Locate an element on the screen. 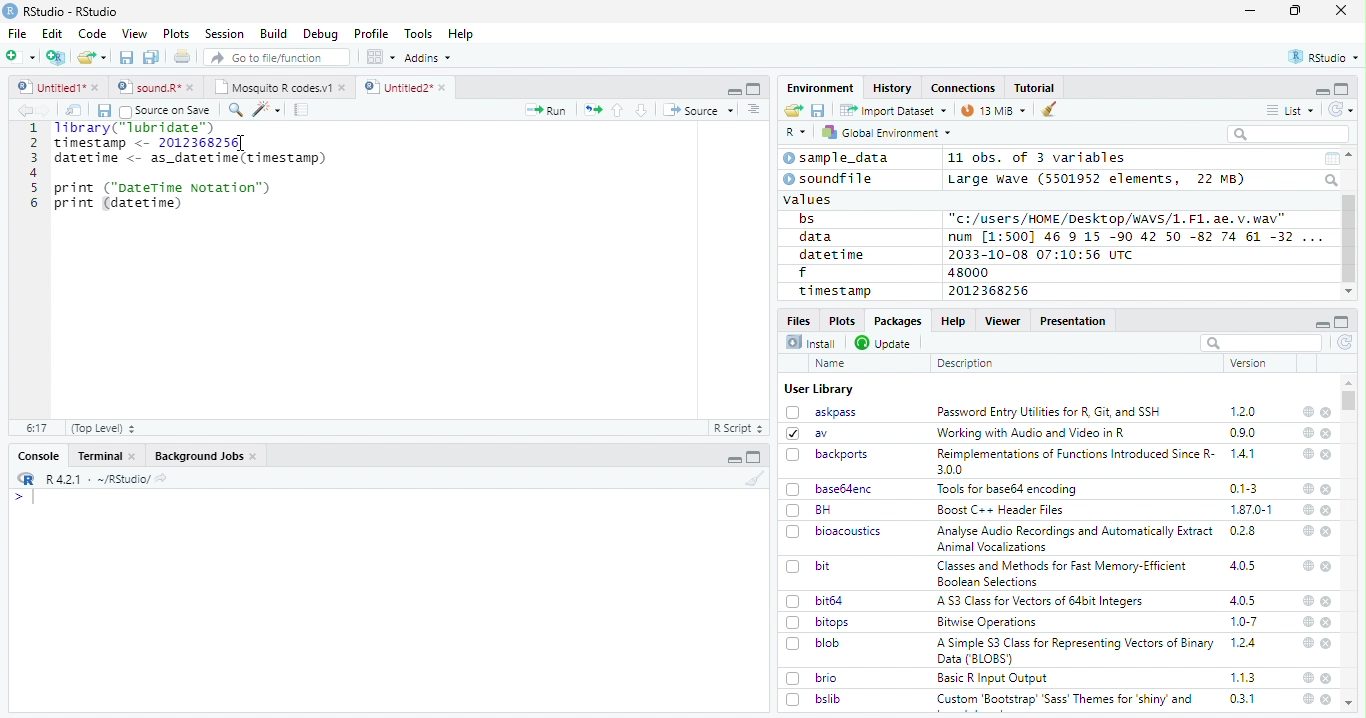 The image size is (1366, 718). brio is located at coordinates (812, 678).